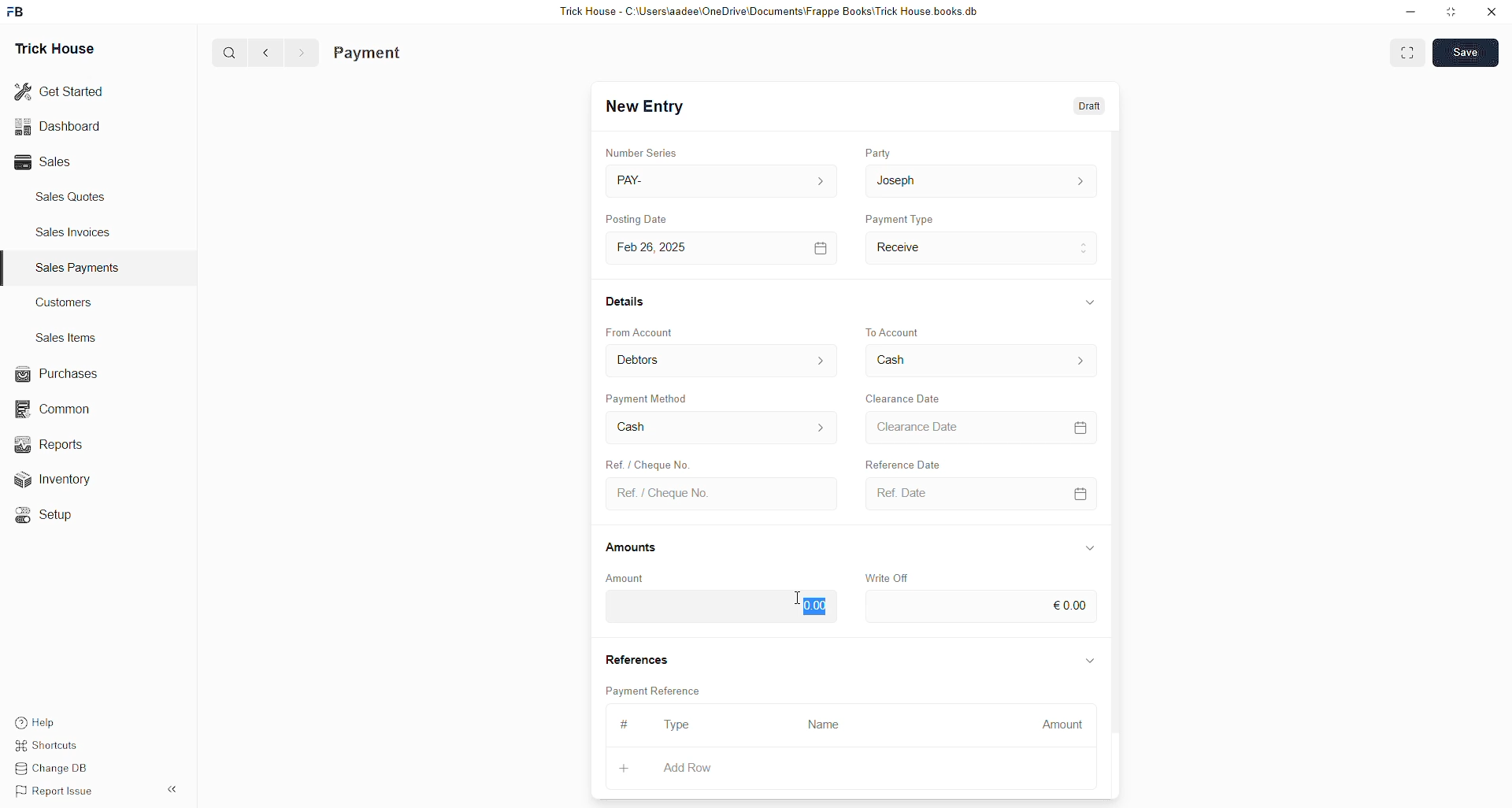 This screenshot has height=808, width=1512. What do you see at coordinates (1091, 662) in the screenshot?
I see `Show/Hide` at bounding box center [1091, 662].